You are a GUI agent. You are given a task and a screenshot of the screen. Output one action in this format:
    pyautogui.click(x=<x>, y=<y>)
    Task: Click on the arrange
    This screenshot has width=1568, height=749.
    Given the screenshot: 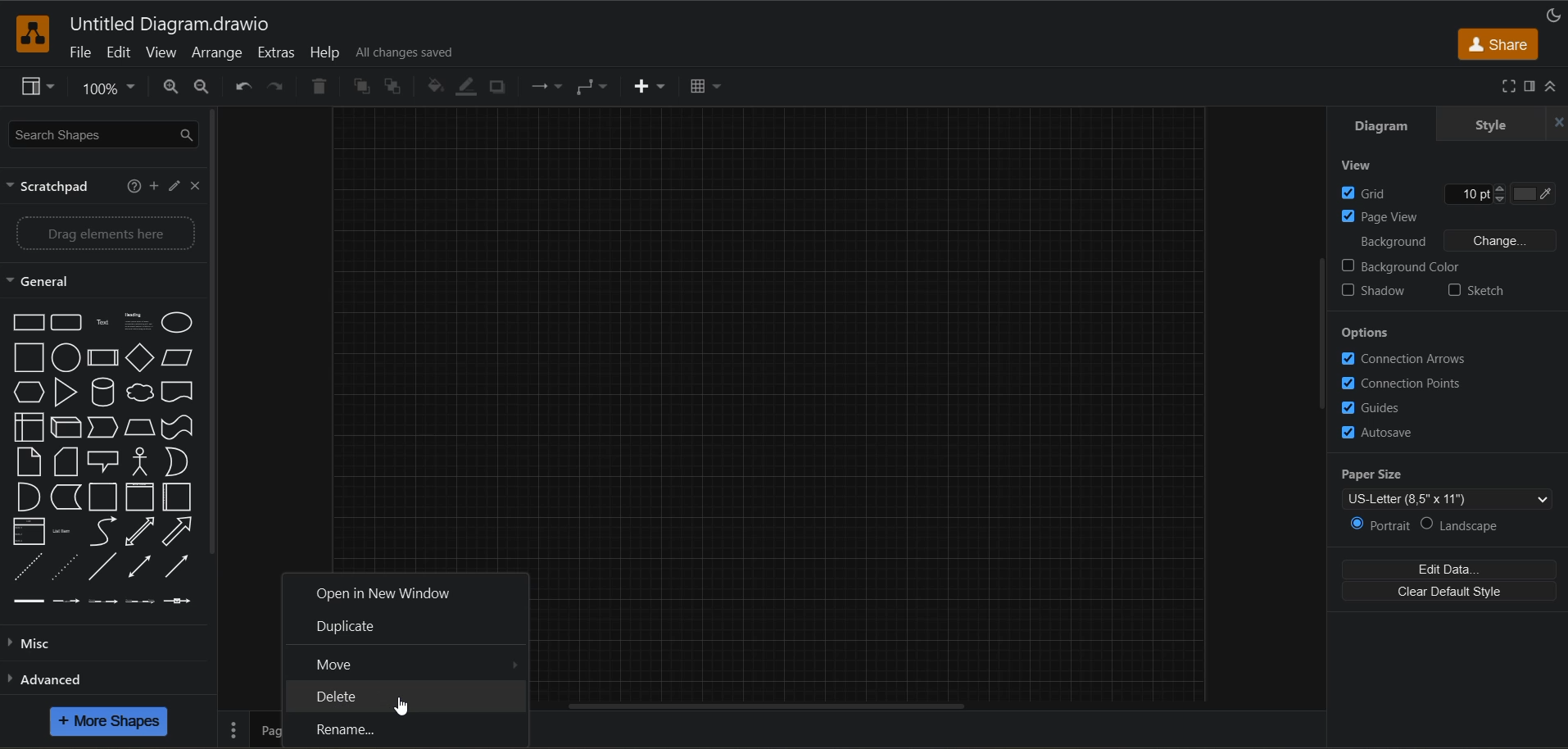 What is the action you would take?
    pyautogui.click(x=218, y=53)
    